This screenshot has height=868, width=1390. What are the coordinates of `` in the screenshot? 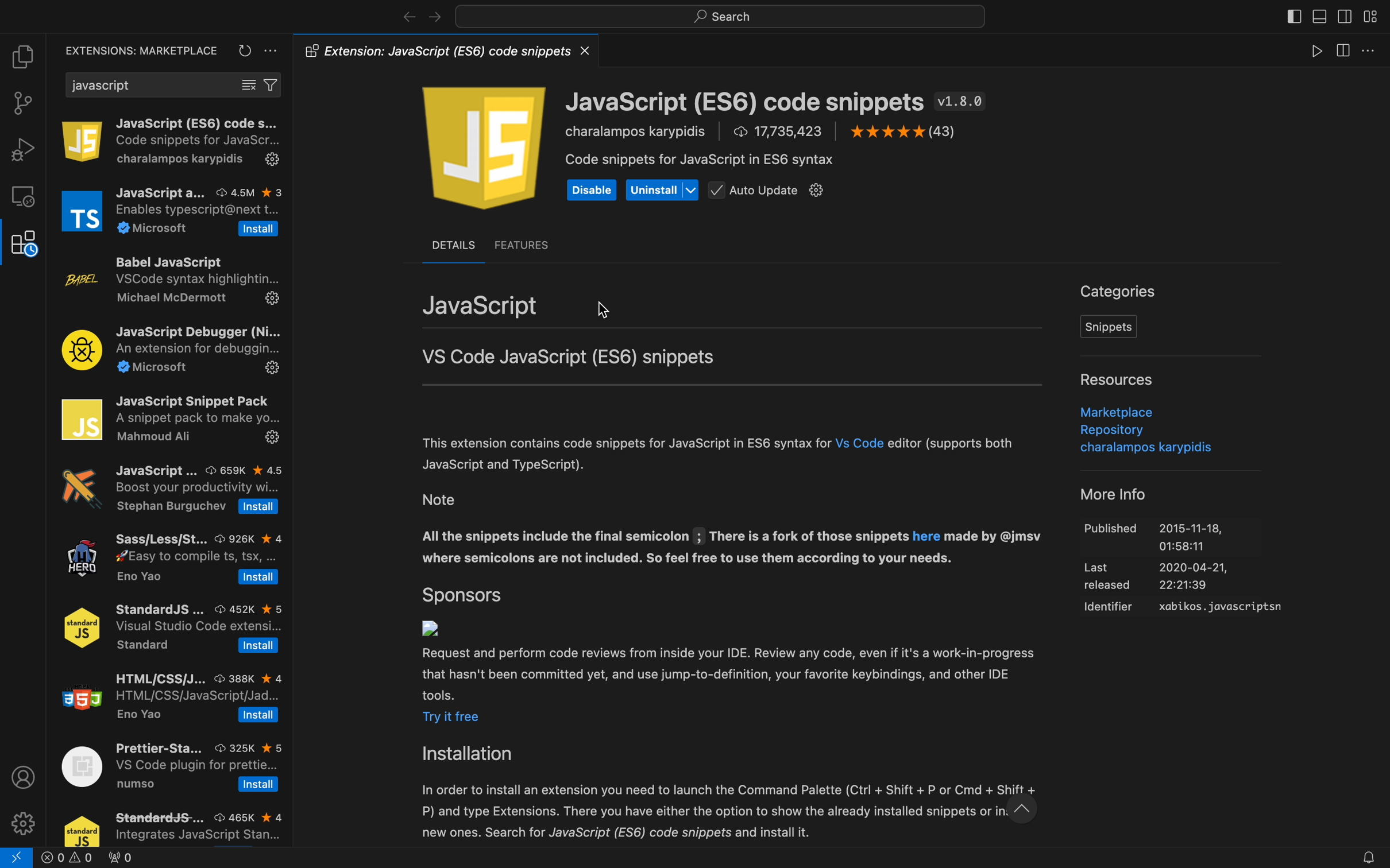 It's located at (694, 161).